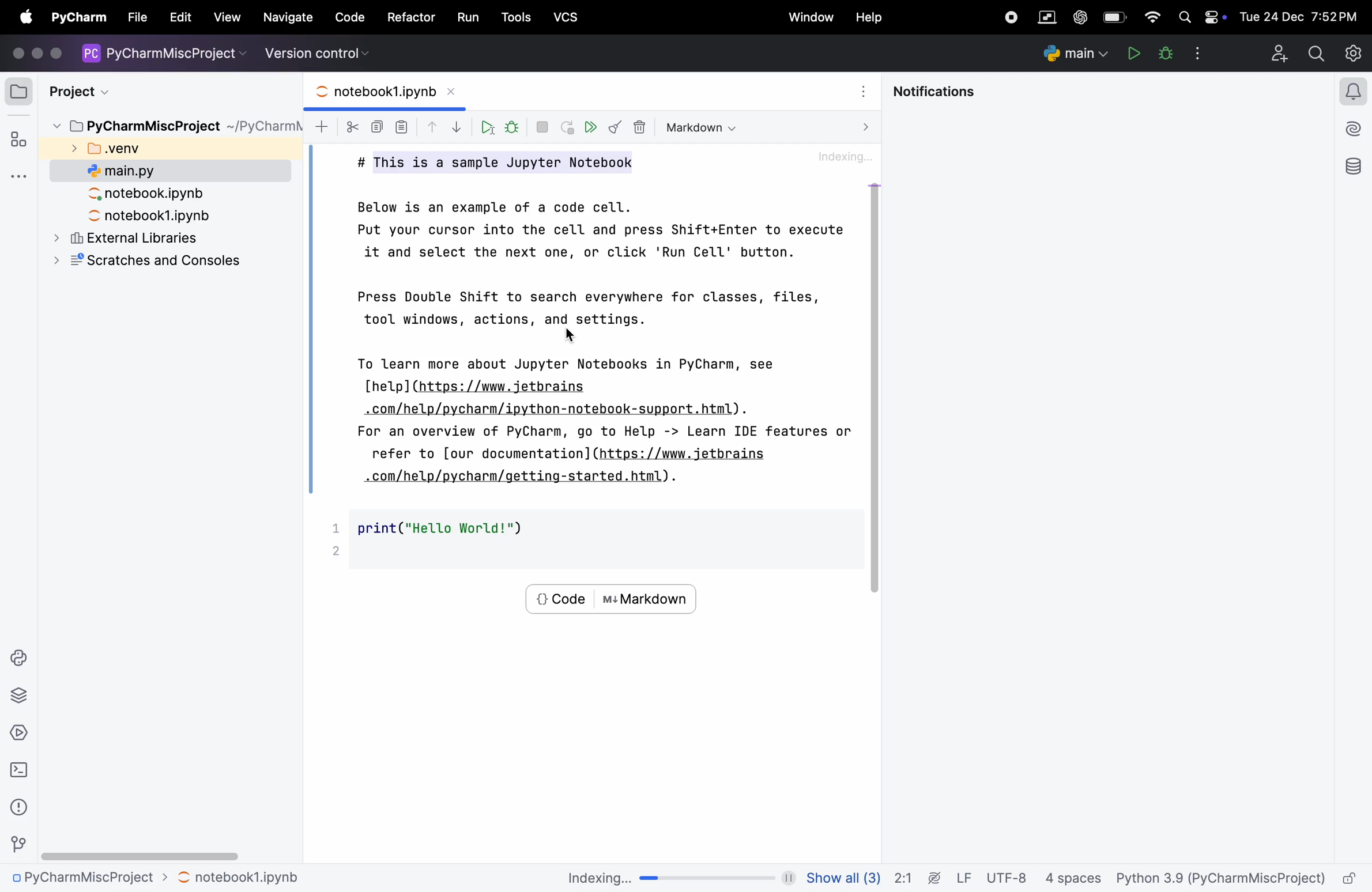 This screenshot has height=892, width=1372. I want to click on drop up, so click(431, 128).